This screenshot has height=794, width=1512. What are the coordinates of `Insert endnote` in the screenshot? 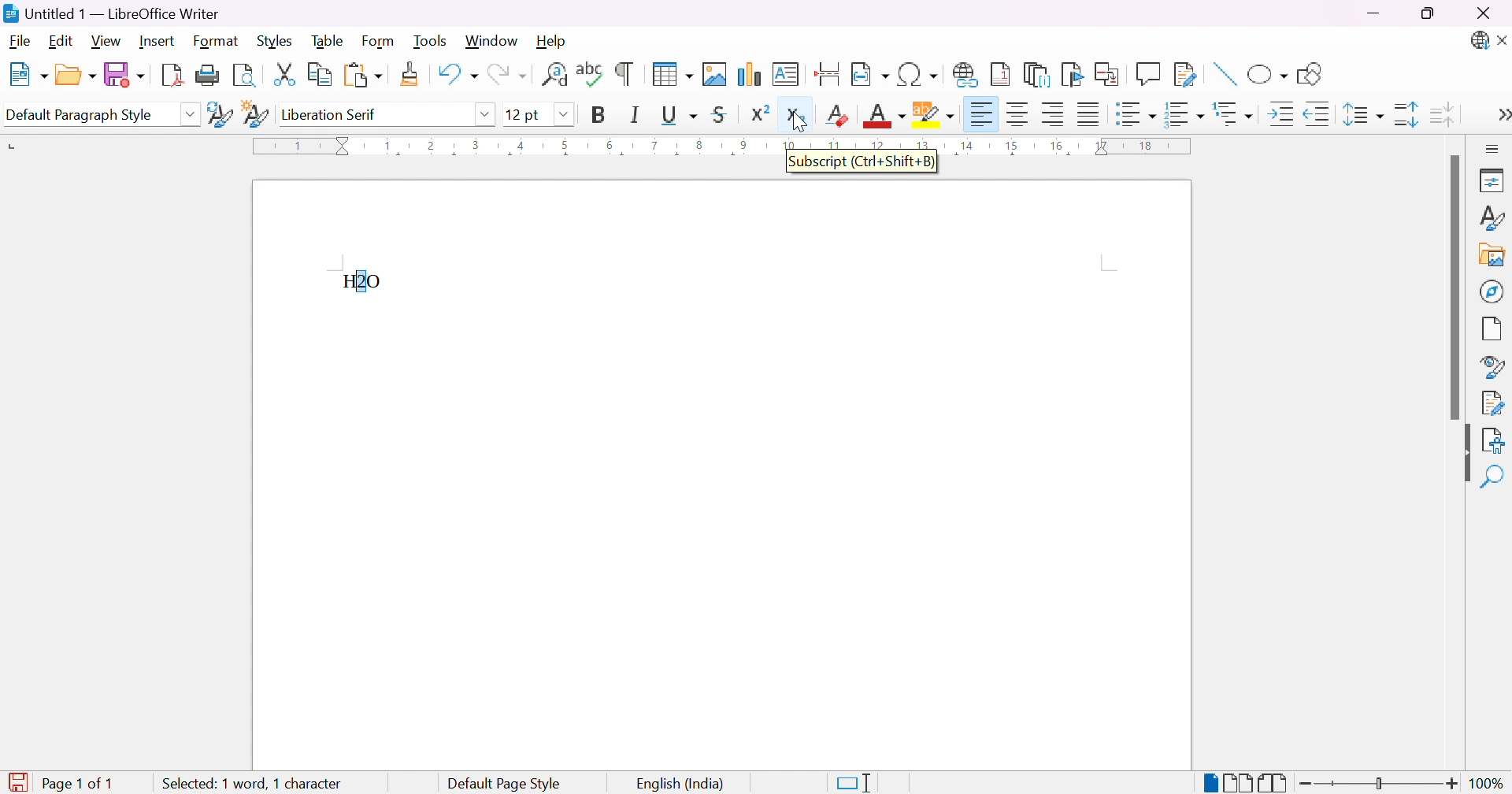 It's located at (1037, 75).